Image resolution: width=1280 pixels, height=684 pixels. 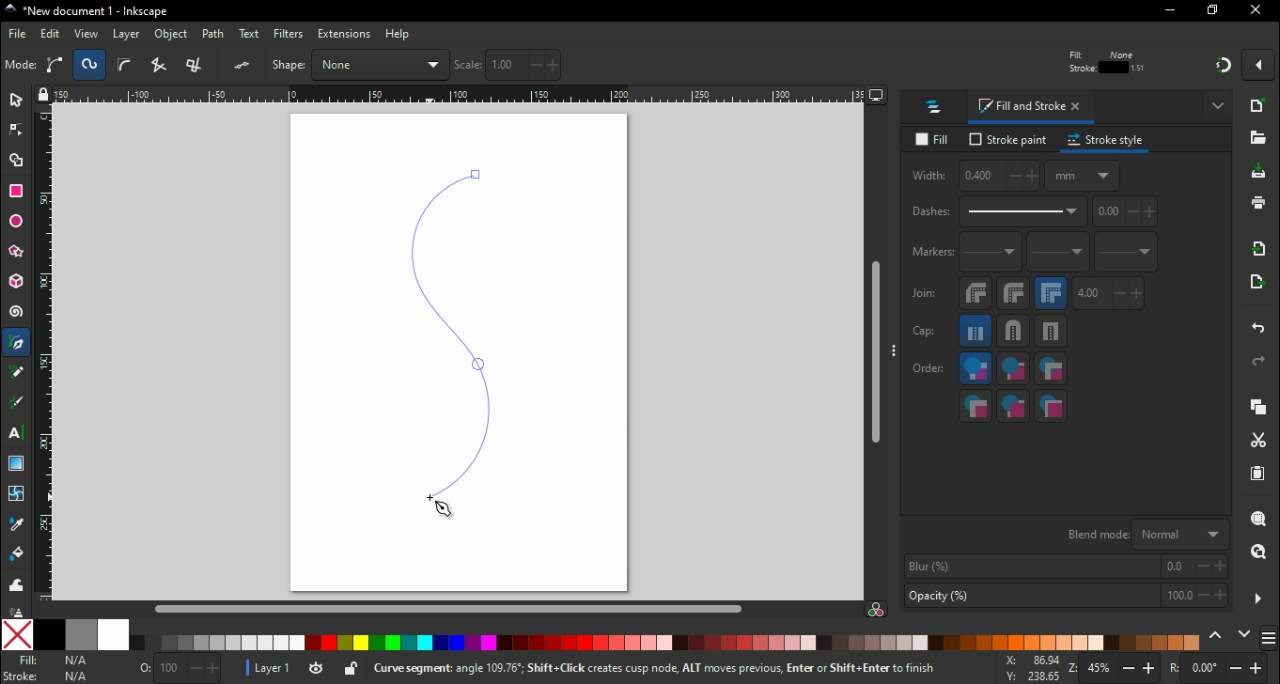 What do you see at coordinates (1012, 334) in the screenshot?
I see `round` at bounding box center [1012, 334].